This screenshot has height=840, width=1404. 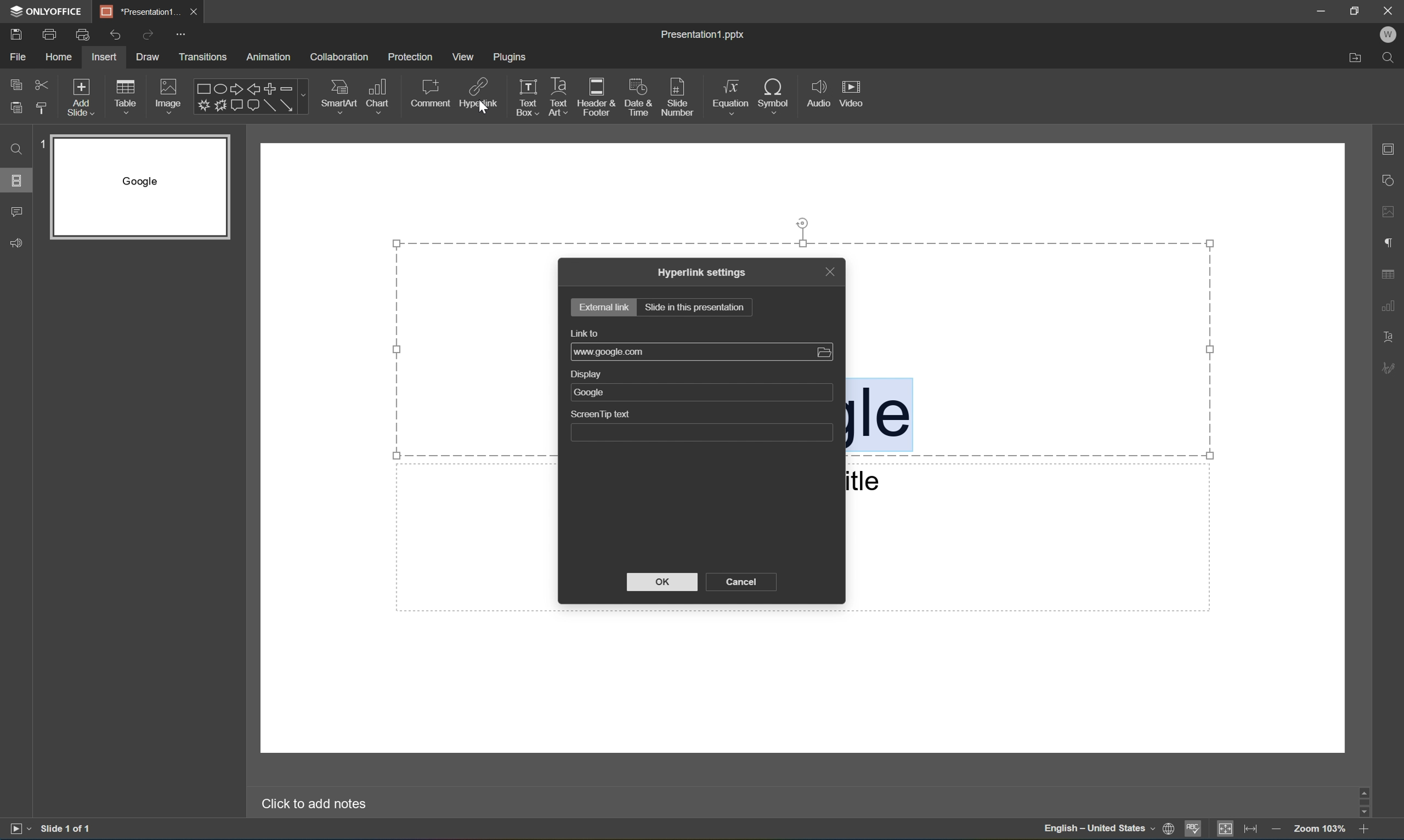 I want to click on Chart settings, so click(x=1388, y=306).